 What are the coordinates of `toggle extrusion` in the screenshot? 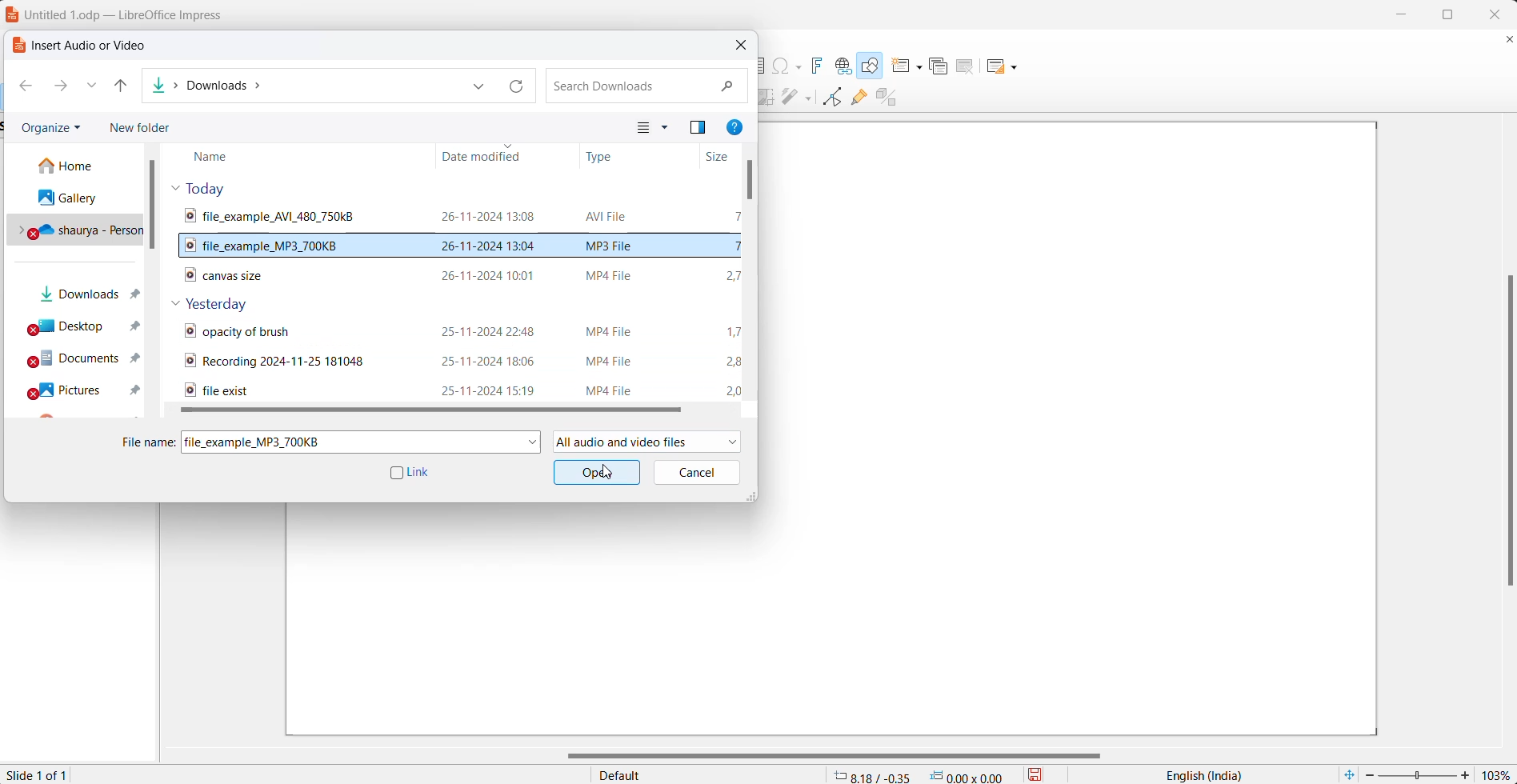 It's located at (889, 98).